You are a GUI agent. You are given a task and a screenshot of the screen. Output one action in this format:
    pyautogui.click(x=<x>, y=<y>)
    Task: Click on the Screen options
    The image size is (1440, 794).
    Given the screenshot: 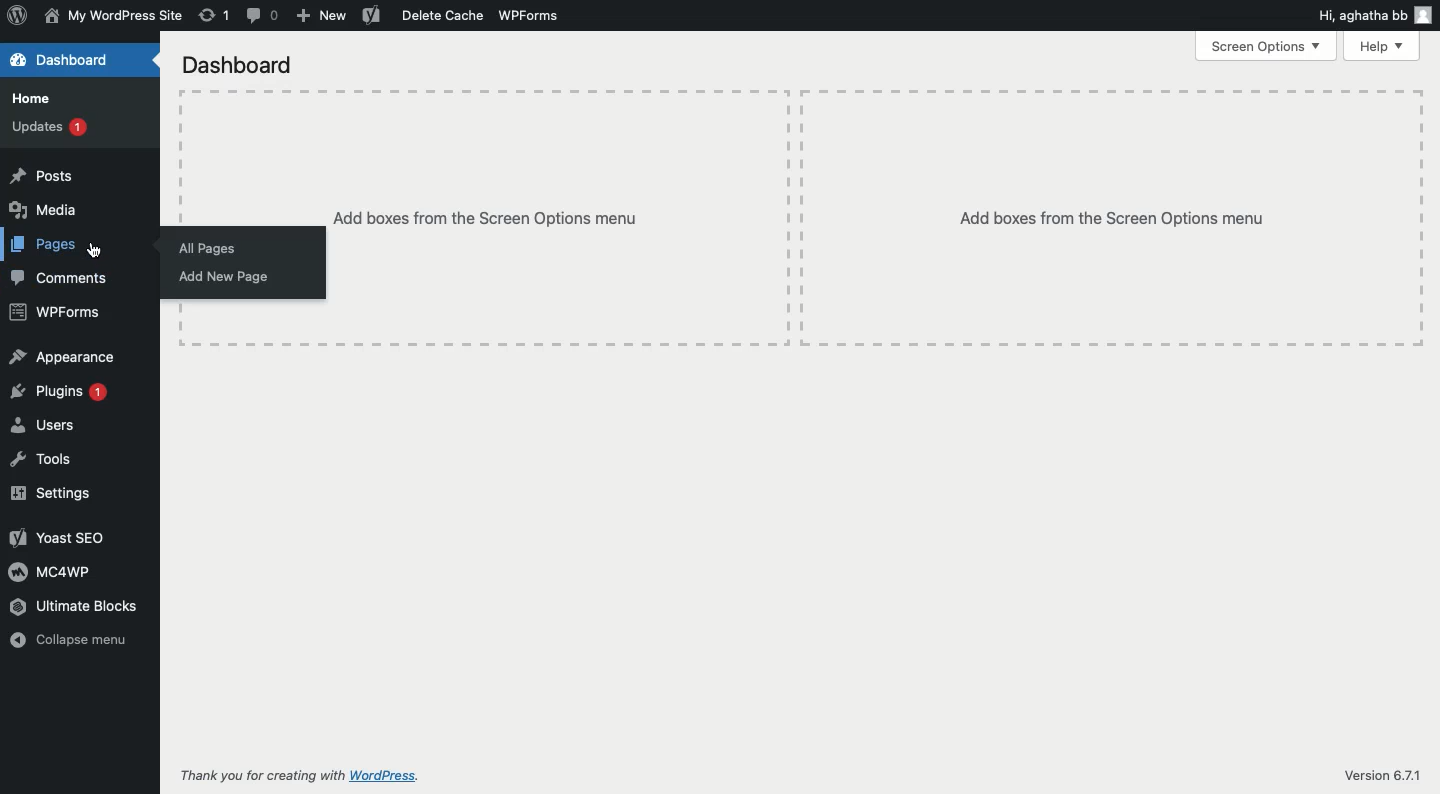 What is the action you would take?
    pyautogui.click(x=1268, y=46)
    